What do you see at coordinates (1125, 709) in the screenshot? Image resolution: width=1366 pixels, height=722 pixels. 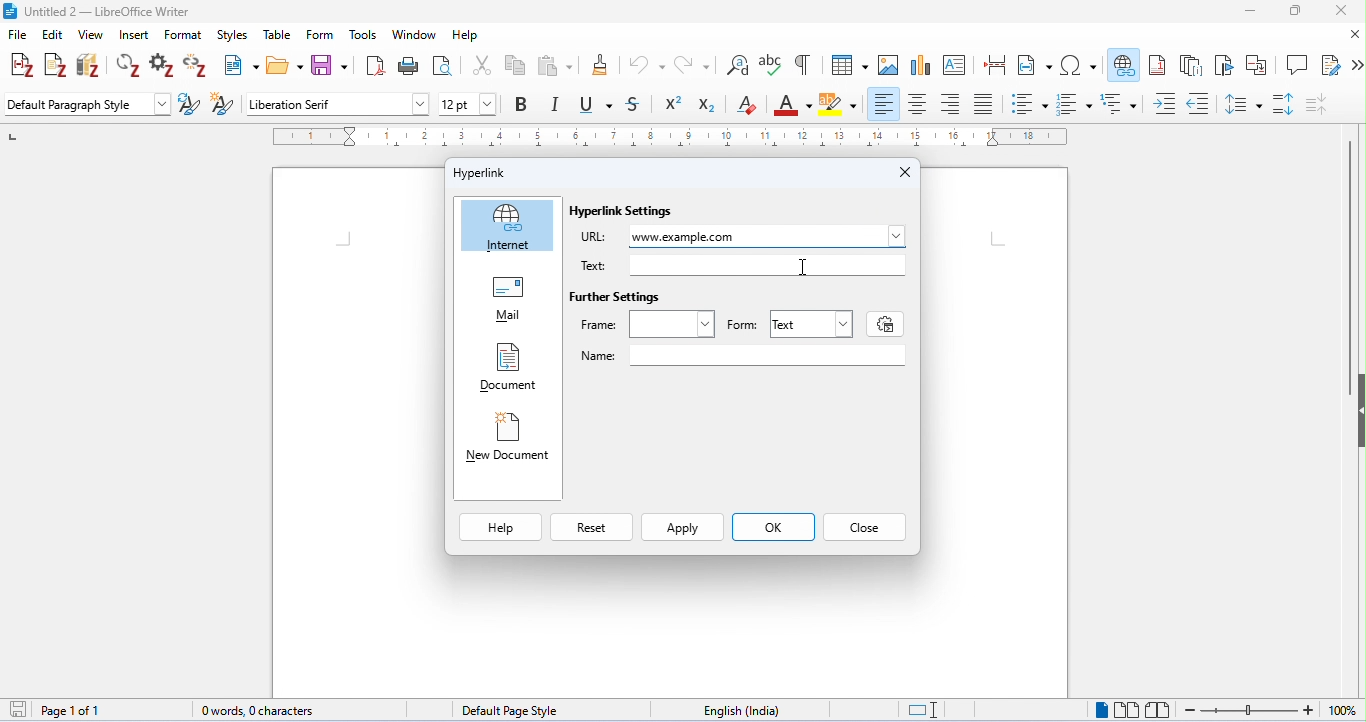 I see `multipage view` at bounding box center [1125, 709].